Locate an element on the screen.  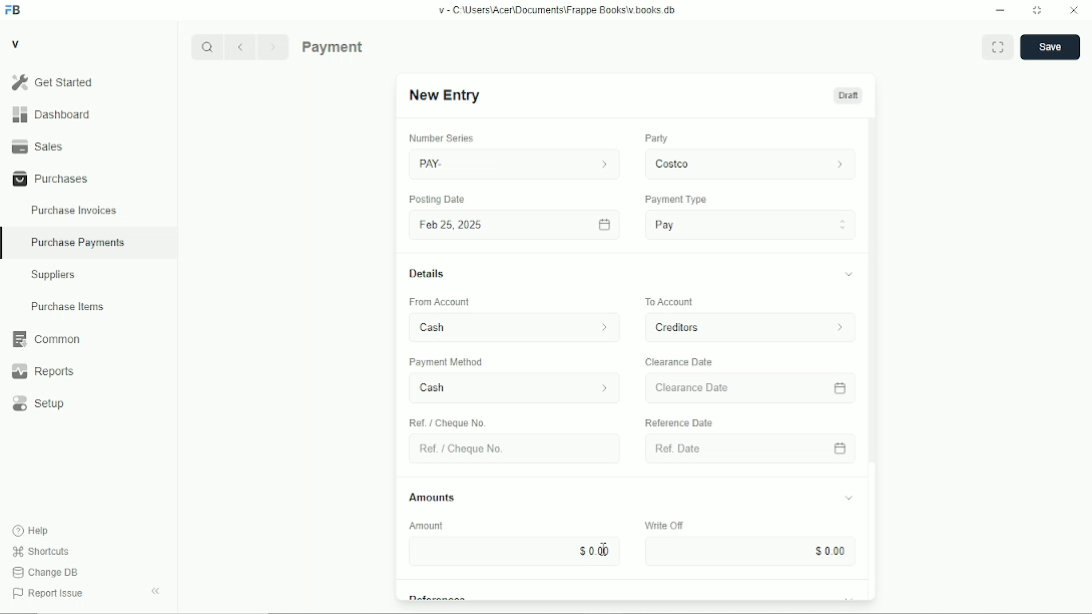
save is located at coordinates (1050, 47).